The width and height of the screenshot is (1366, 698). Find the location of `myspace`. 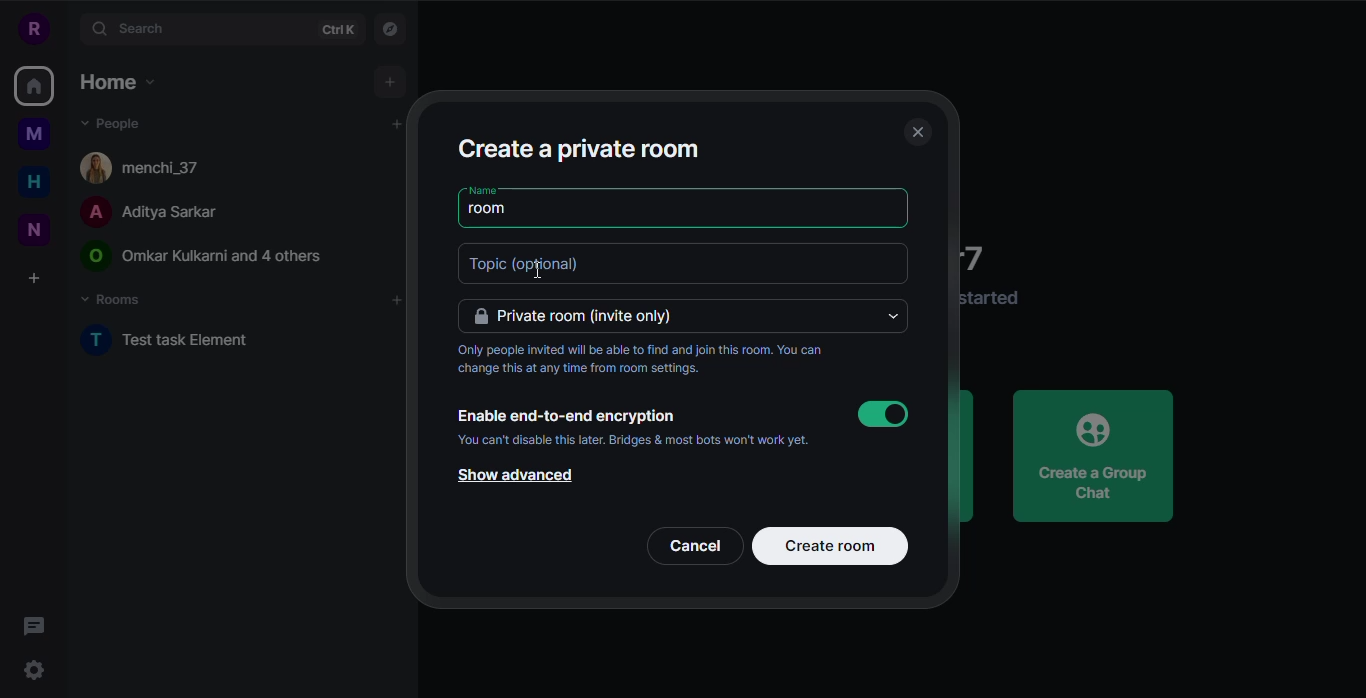

myspace is located at coordinates (34, 134).